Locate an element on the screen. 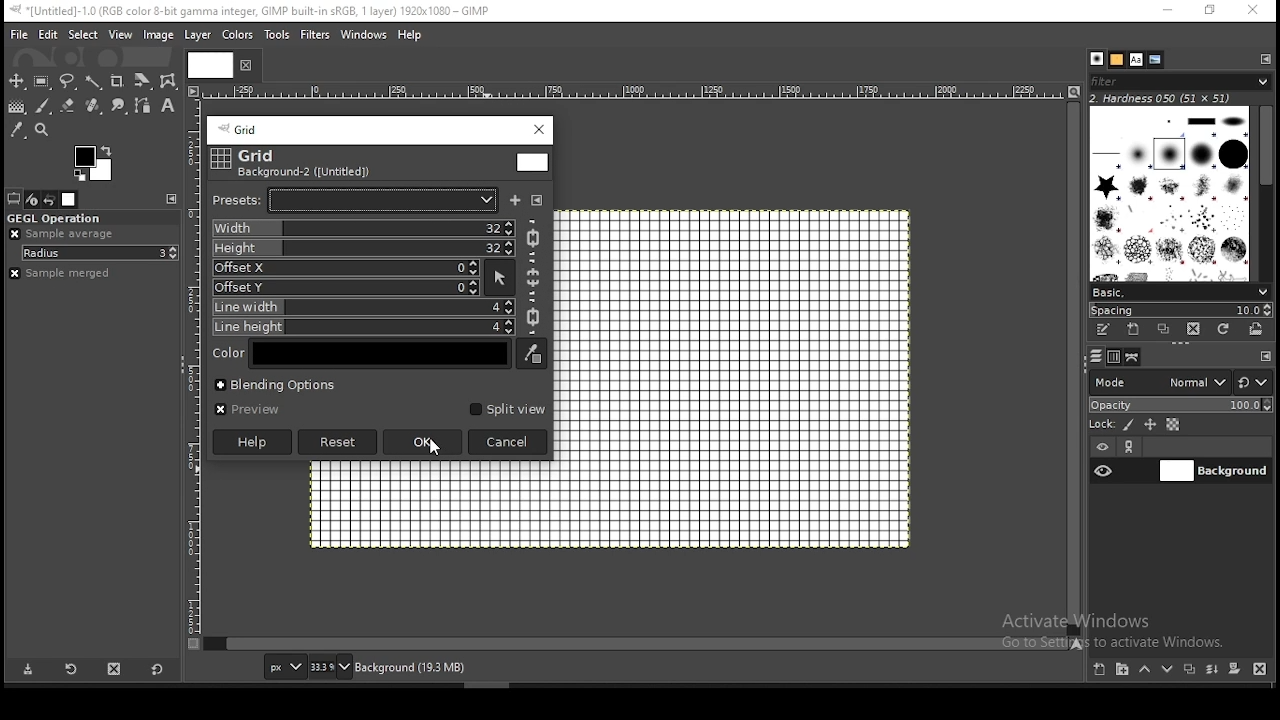  brushes filter is located at coordinates (1180, 81).